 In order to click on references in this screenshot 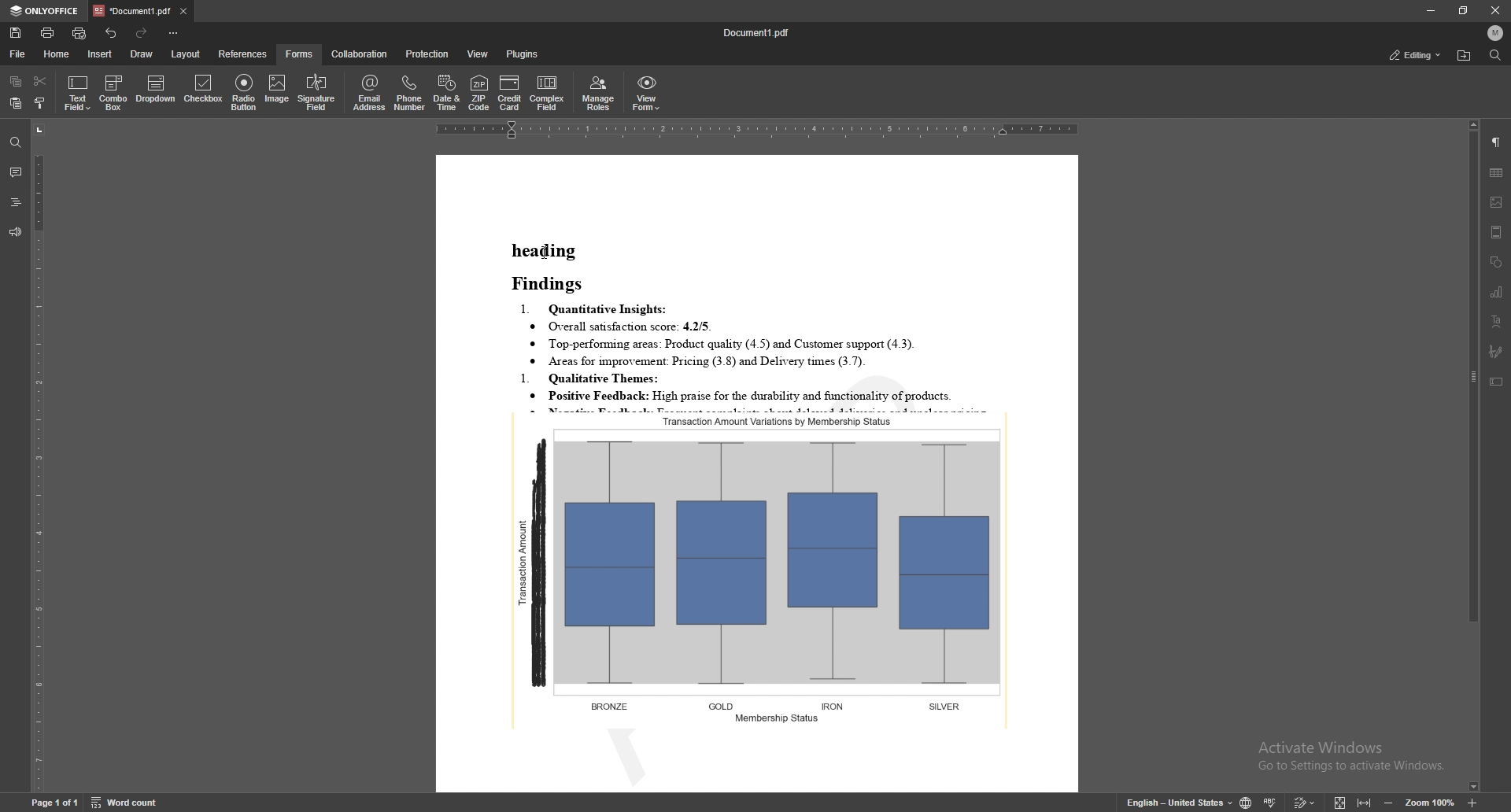, I will do `click(242, 54)`.